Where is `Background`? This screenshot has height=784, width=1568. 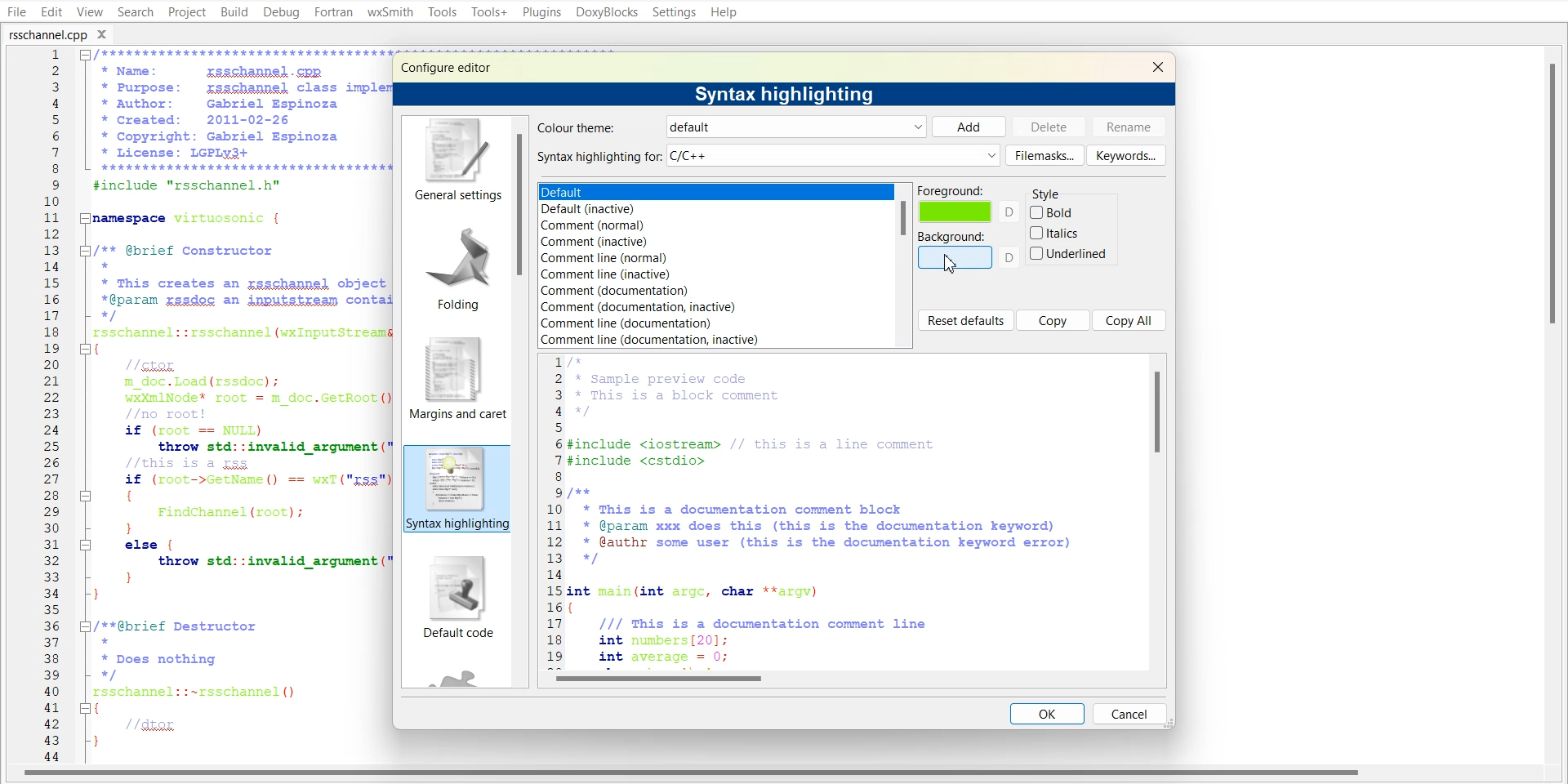 Background is located at coordinates (969, 250).